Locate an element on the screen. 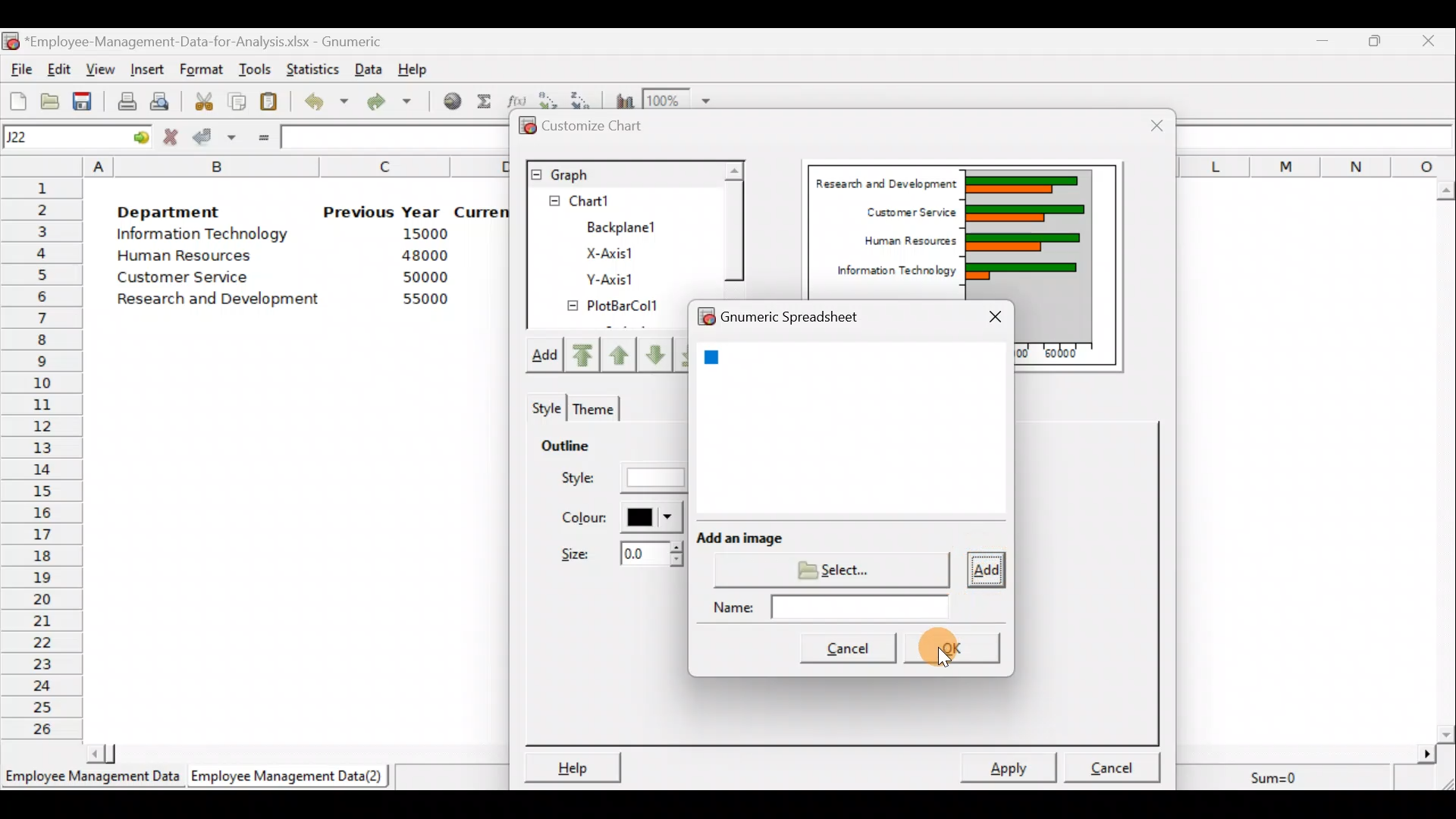 The image size is (1456, 819). Redo undone action is located at coordinates (397, 103).